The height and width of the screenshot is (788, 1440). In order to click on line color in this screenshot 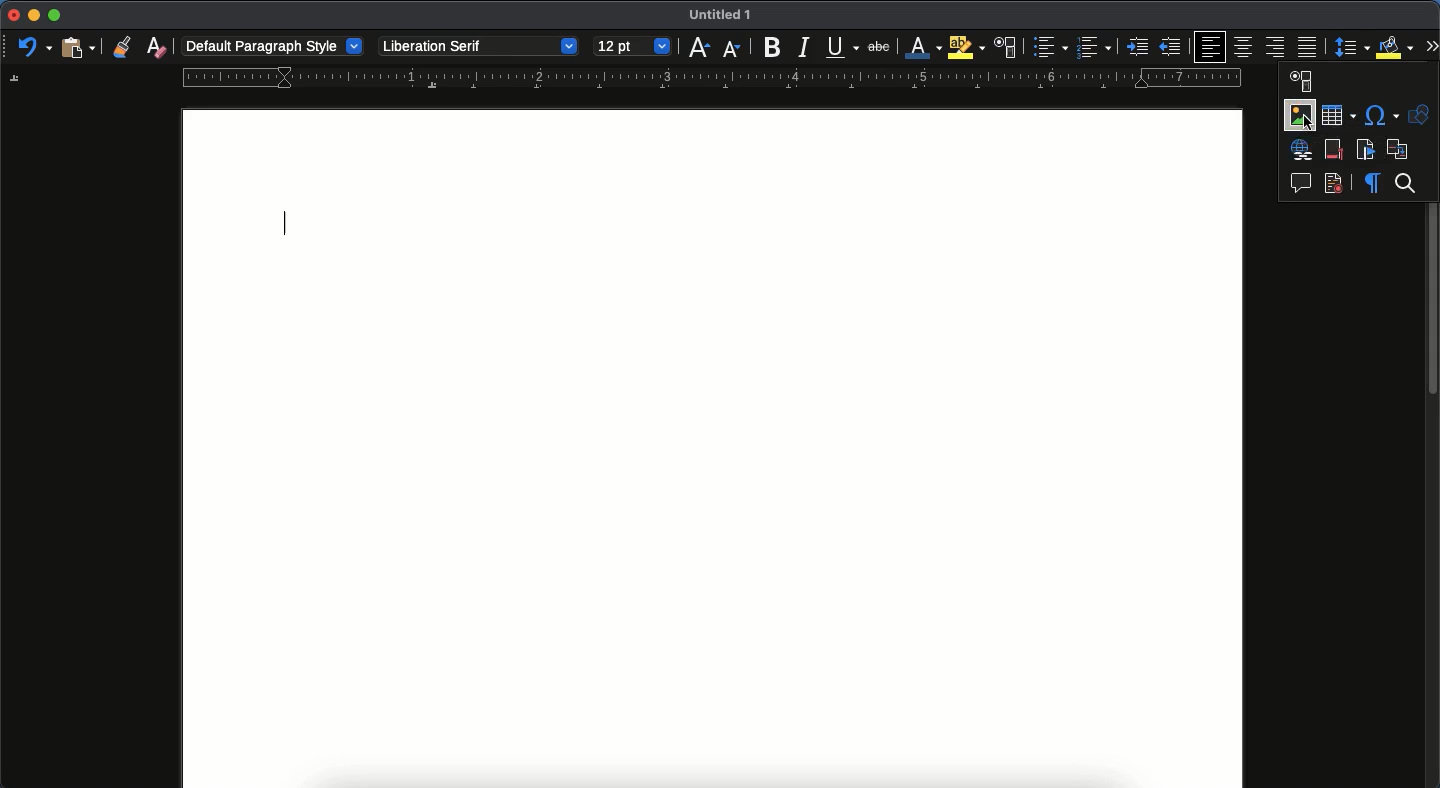, I will do `click(921, 48)`.